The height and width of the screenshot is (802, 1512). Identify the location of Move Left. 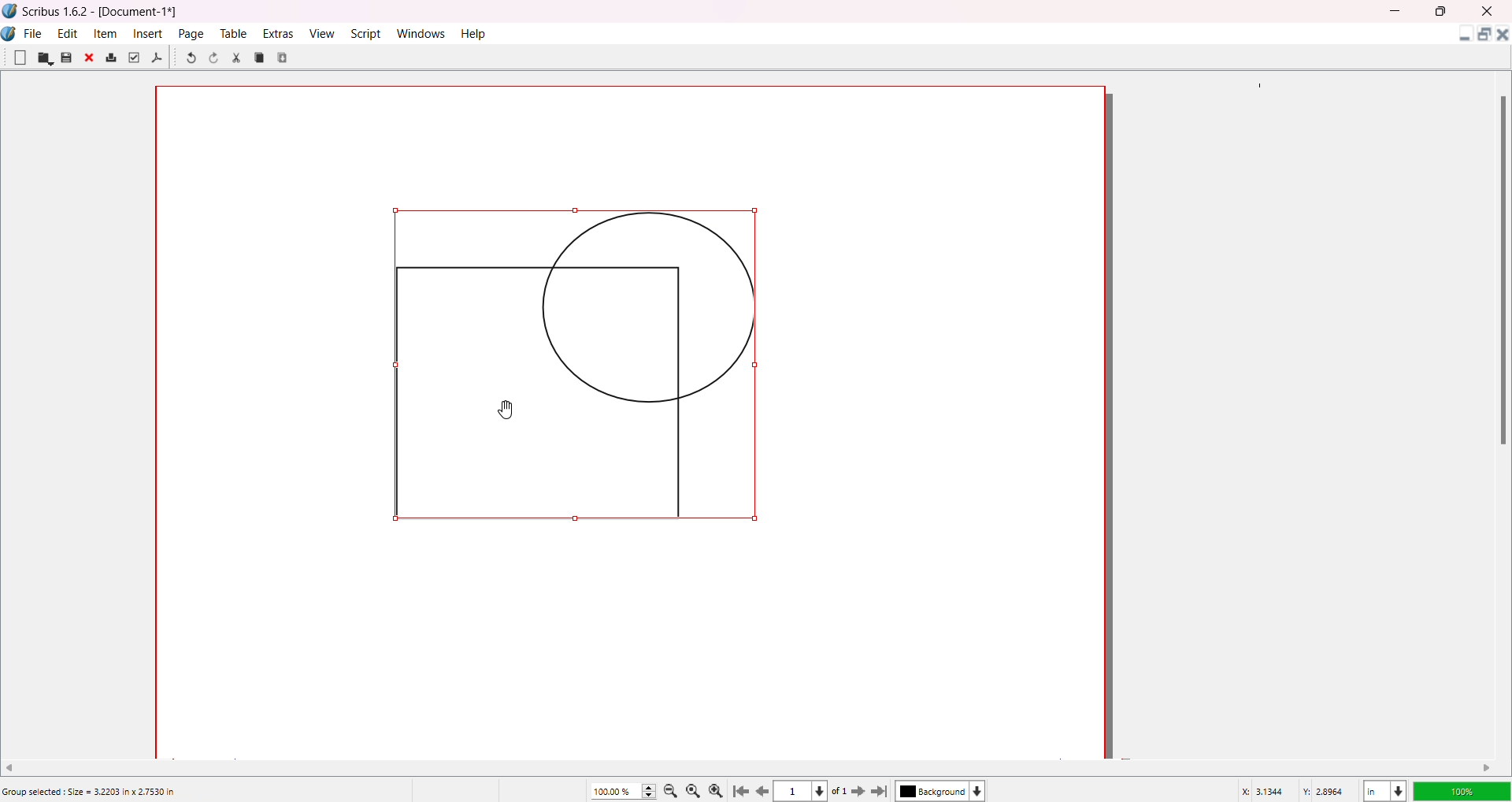
(15, 766).